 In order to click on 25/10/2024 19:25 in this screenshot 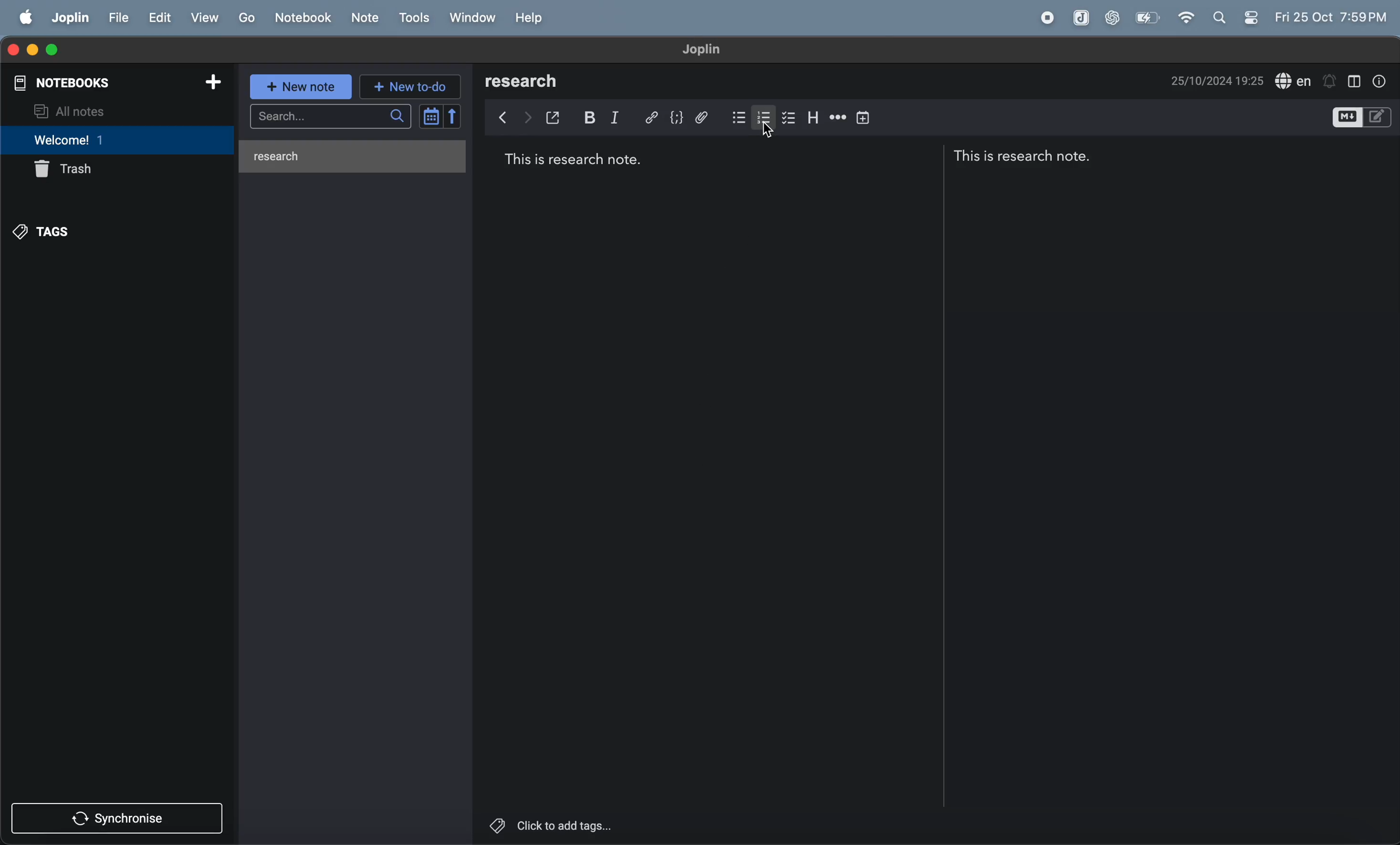, I will do `click(1215, 83)`.